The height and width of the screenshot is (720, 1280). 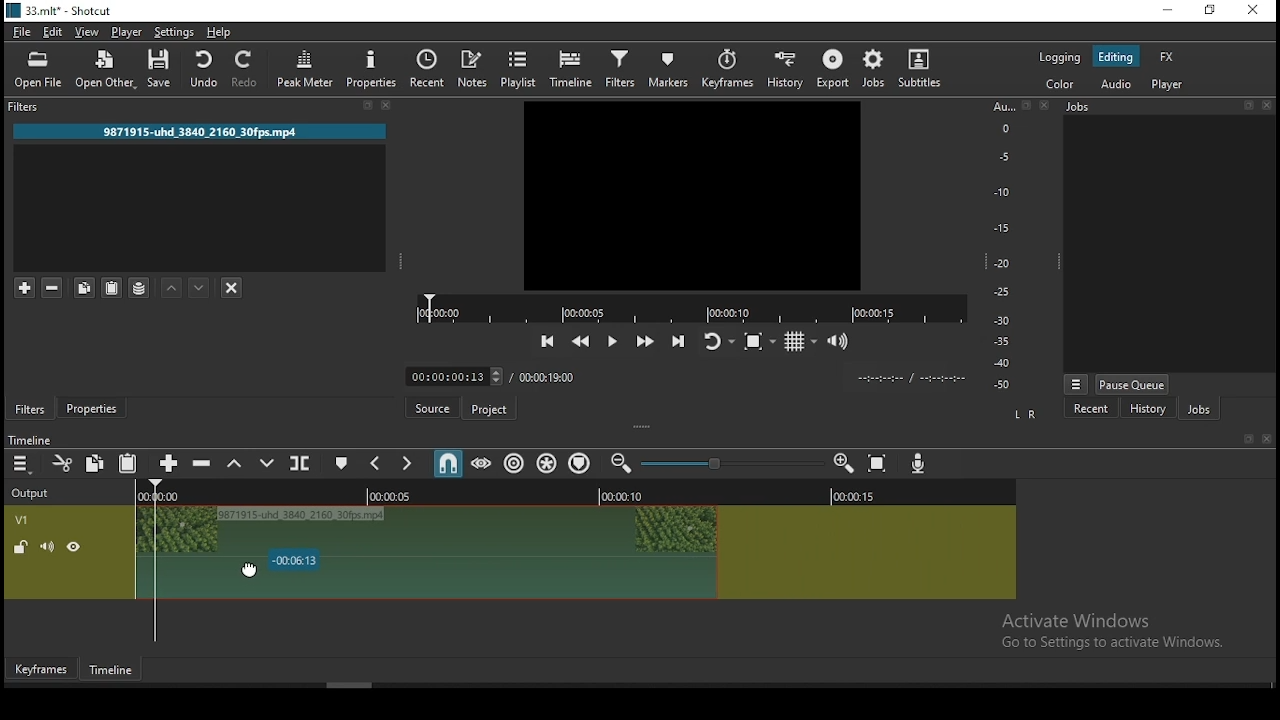 What do you see at coordinates (583, 341) in the screenshot?
I see `play quickly backward` at bounding box center [583, 341].